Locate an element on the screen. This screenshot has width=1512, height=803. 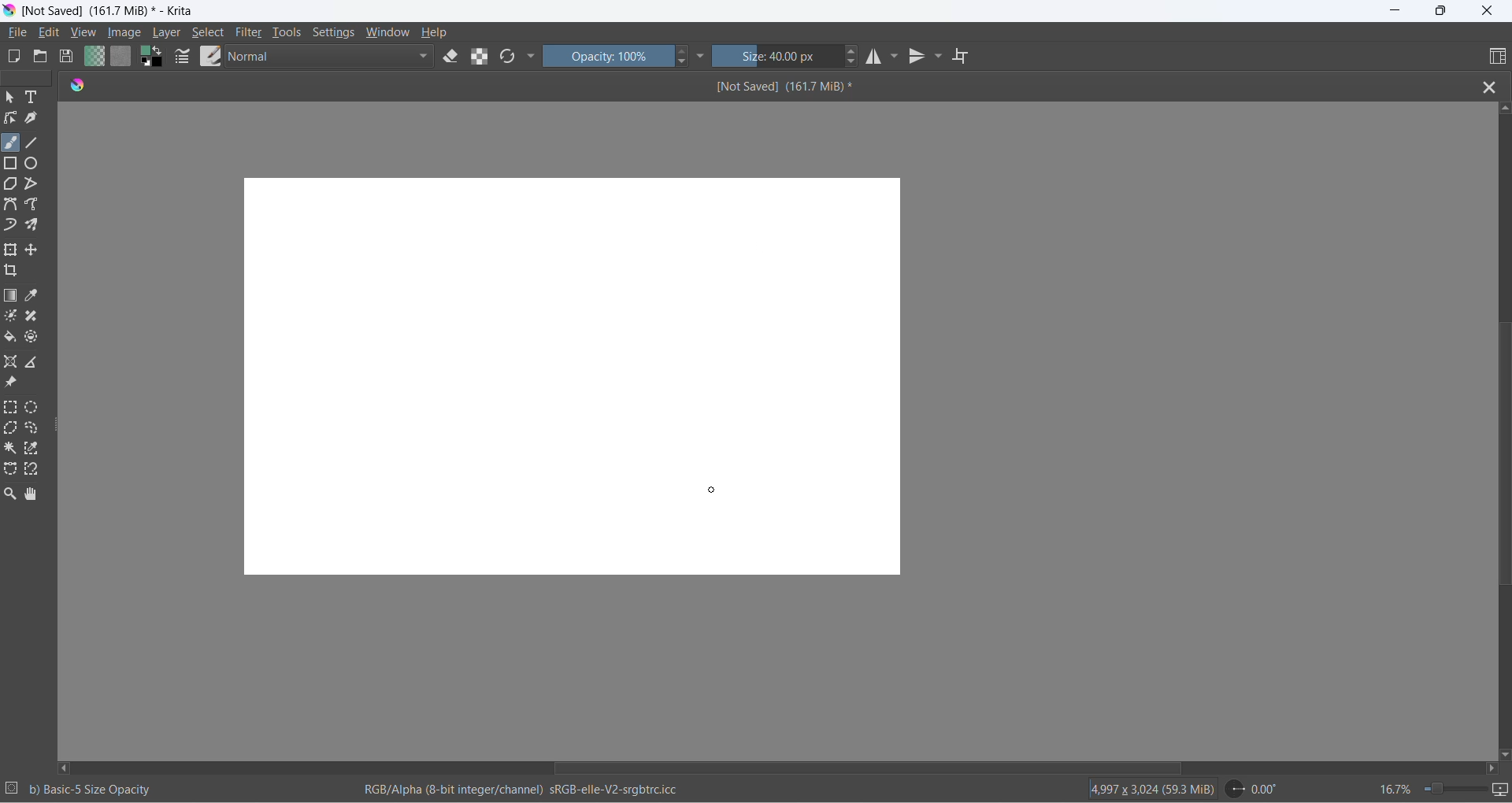
choose workspace is located at coordinates (1495, 57).